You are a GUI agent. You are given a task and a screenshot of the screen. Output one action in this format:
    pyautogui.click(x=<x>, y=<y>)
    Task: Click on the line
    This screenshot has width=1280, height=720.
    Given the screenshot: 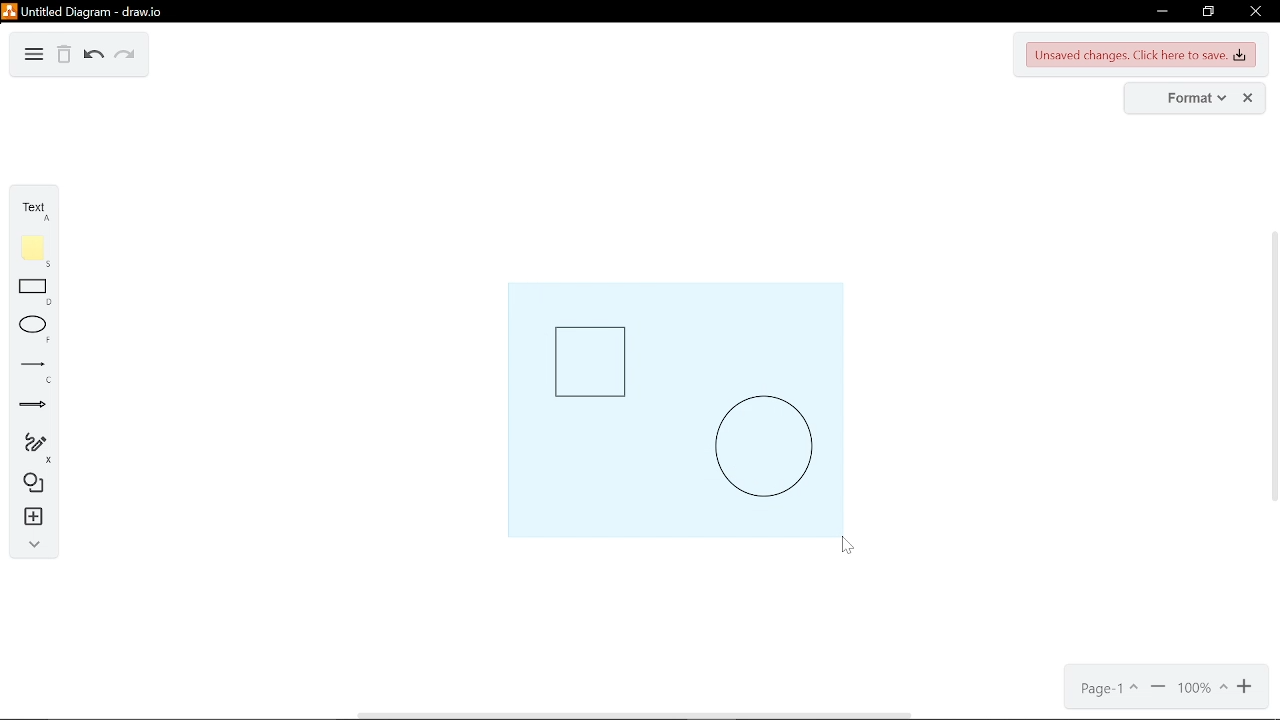 What is the action you would take?
    pyautogui.click(x=30, y=370)
    